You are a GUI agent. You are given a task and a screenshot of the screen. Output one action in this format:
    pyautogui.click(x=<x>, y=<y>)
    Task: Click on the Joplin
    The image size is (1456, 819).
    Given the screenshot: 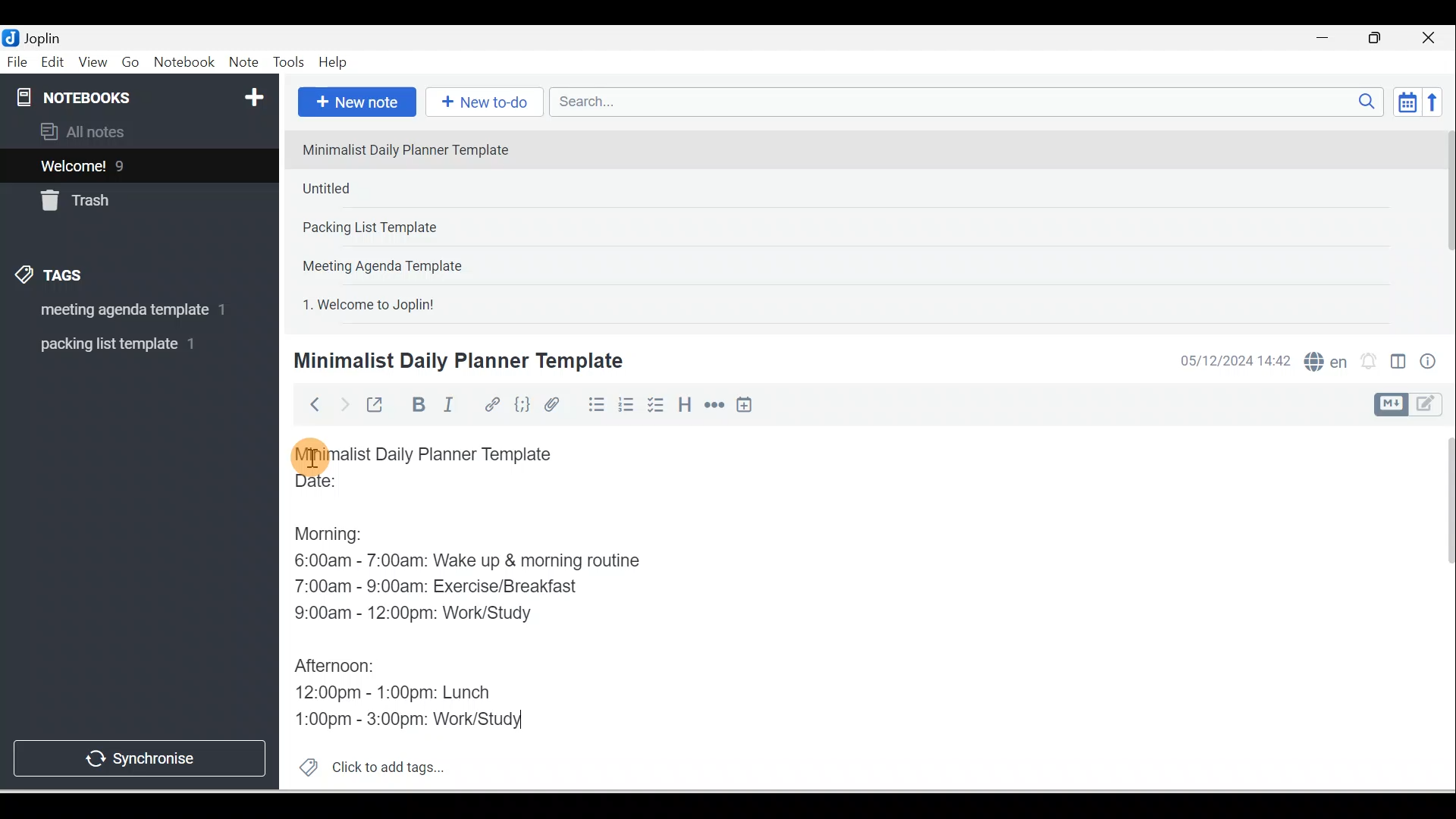 What is the action you would take?
    pyautogui.click(x=46, y=36)
    